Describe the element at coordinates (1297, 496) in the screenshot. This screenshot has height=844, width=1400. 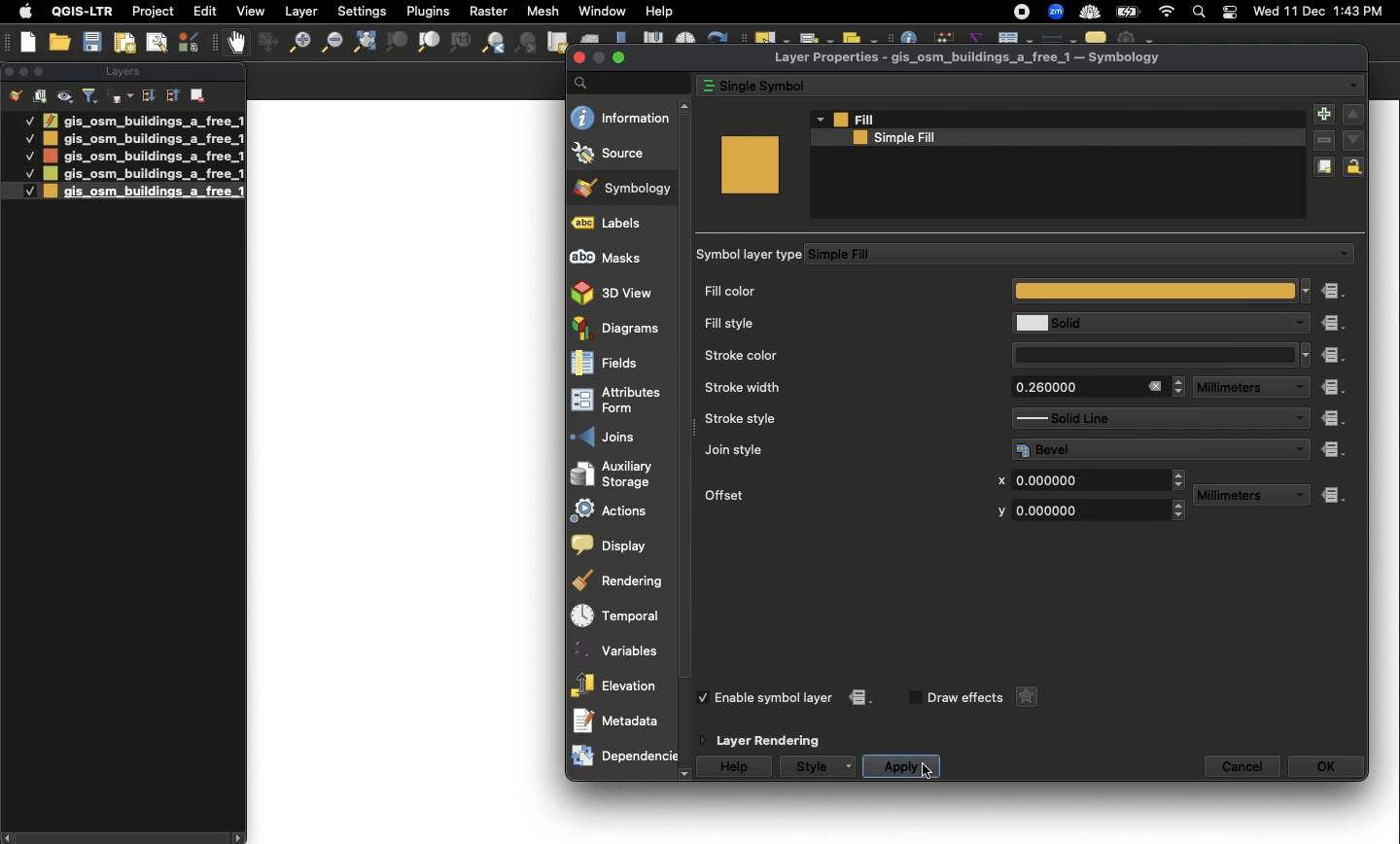
I see `Drop down` at that location.